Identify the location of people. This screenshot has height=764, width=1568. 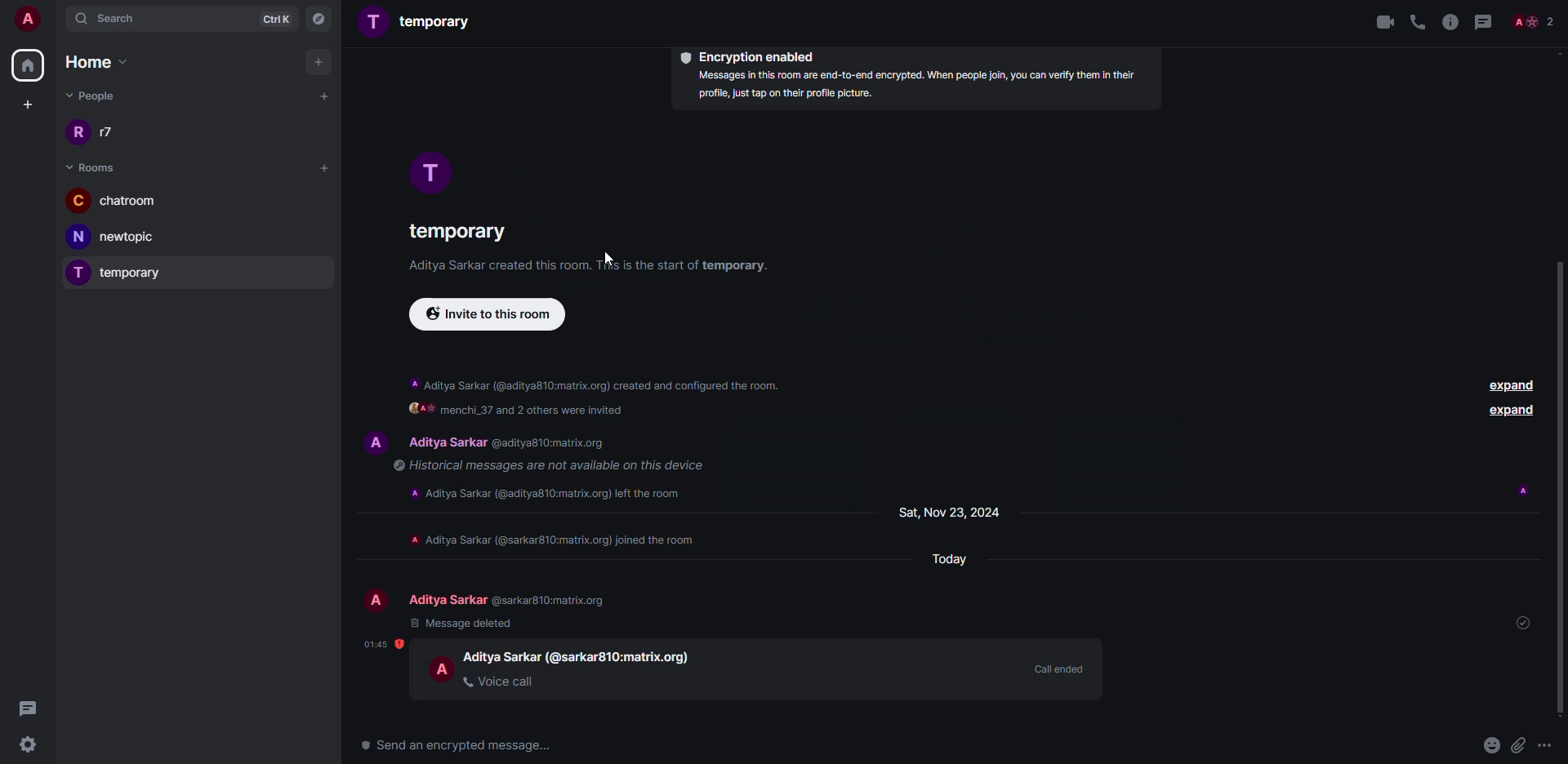
(91, 95).